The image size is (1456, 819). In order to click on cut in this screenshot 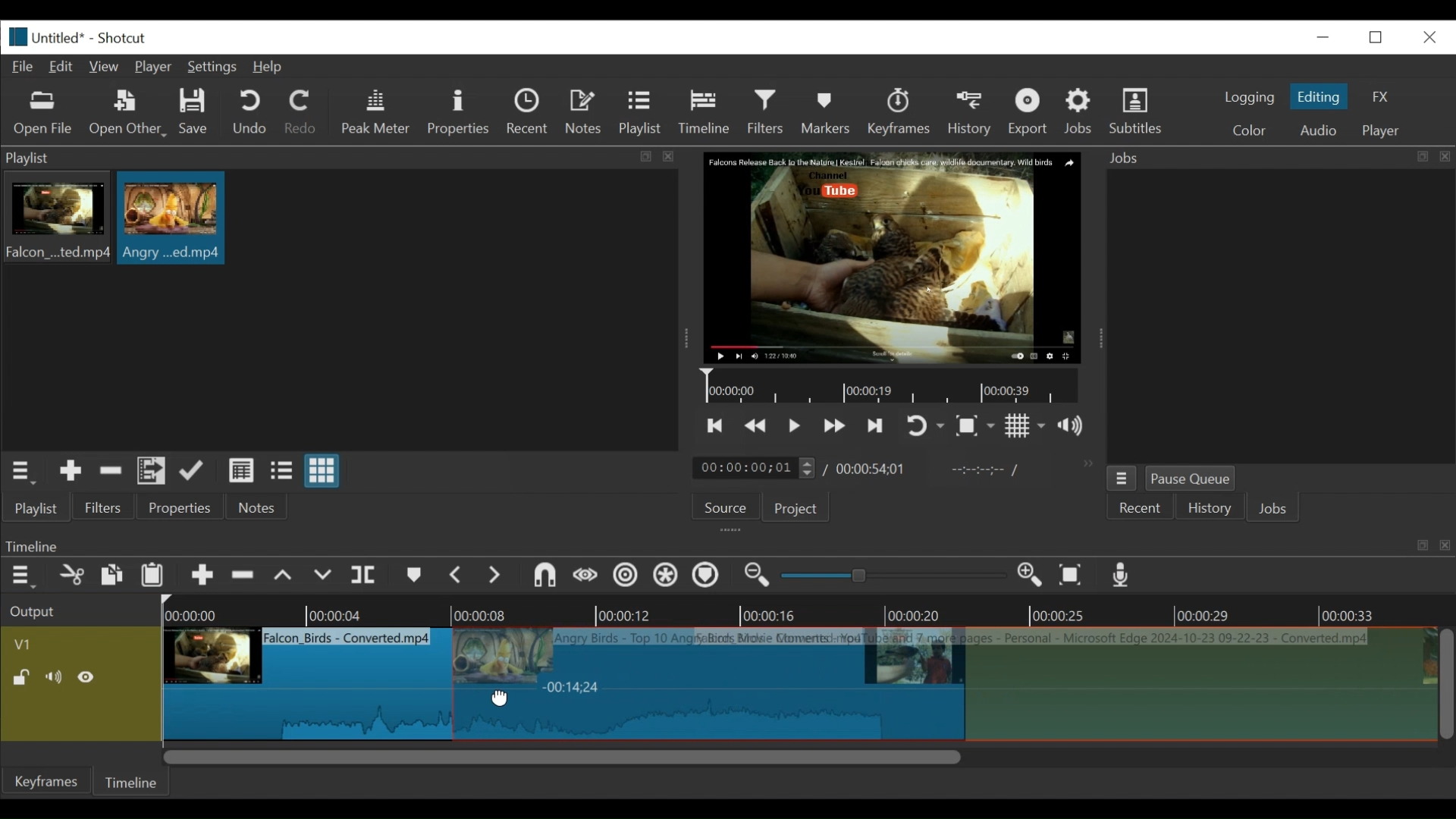, I will do `click(71, 576)`.